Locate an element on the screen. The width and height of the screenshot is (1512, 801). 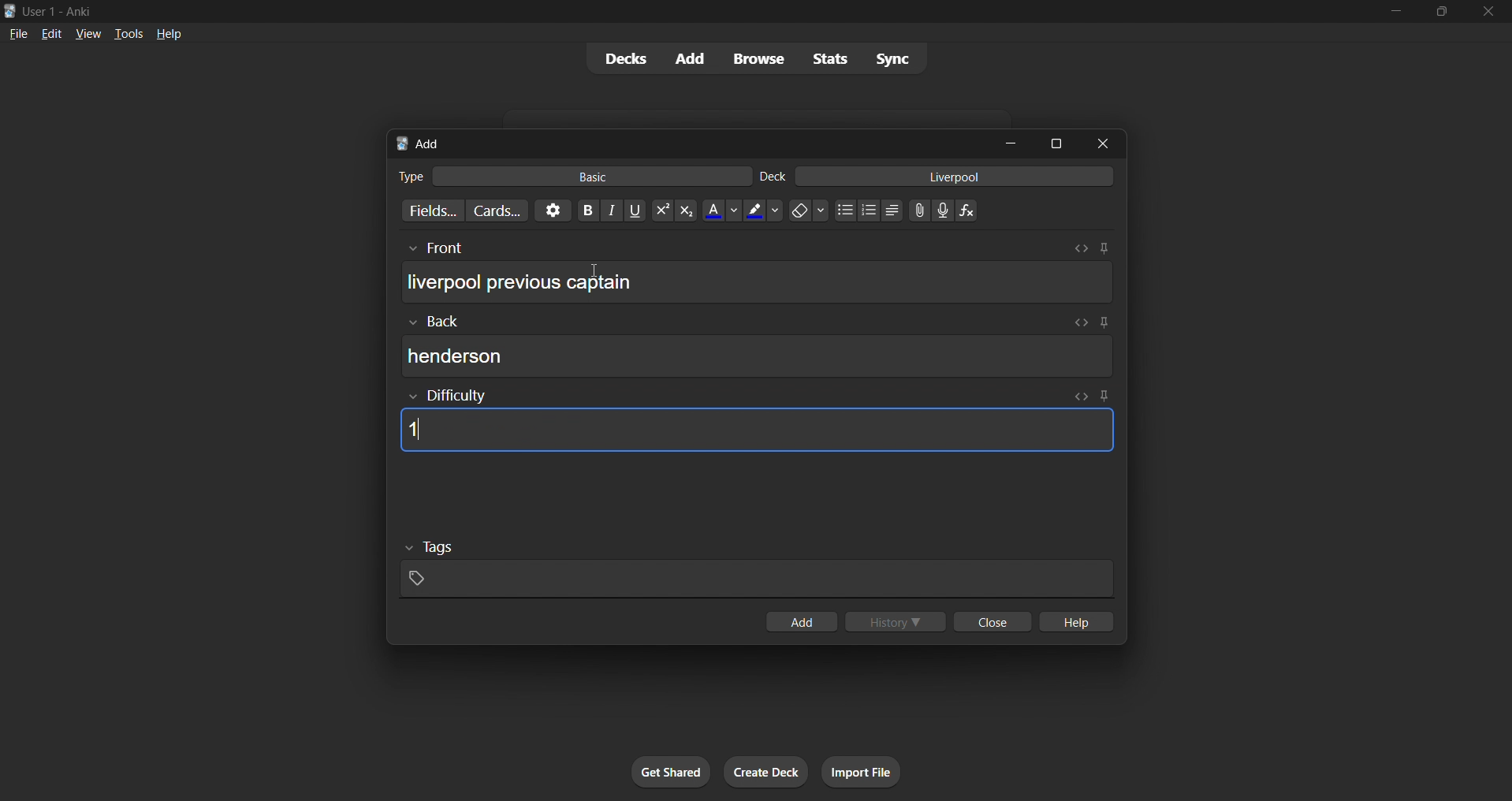
tools is located at coordinates (128, 33).